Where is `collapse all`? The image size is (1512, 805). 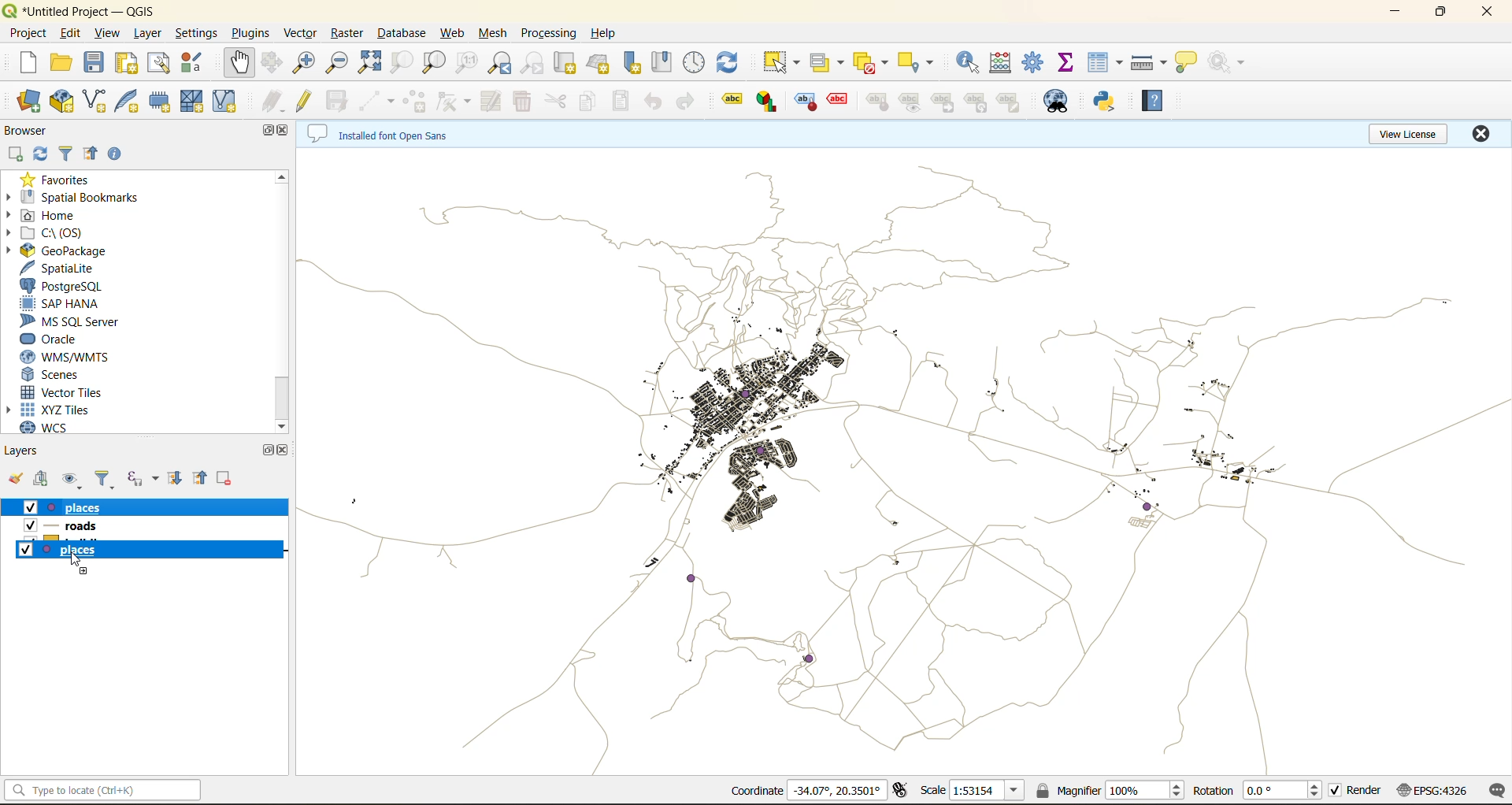
collapse all is located at coordinates (204, 478).